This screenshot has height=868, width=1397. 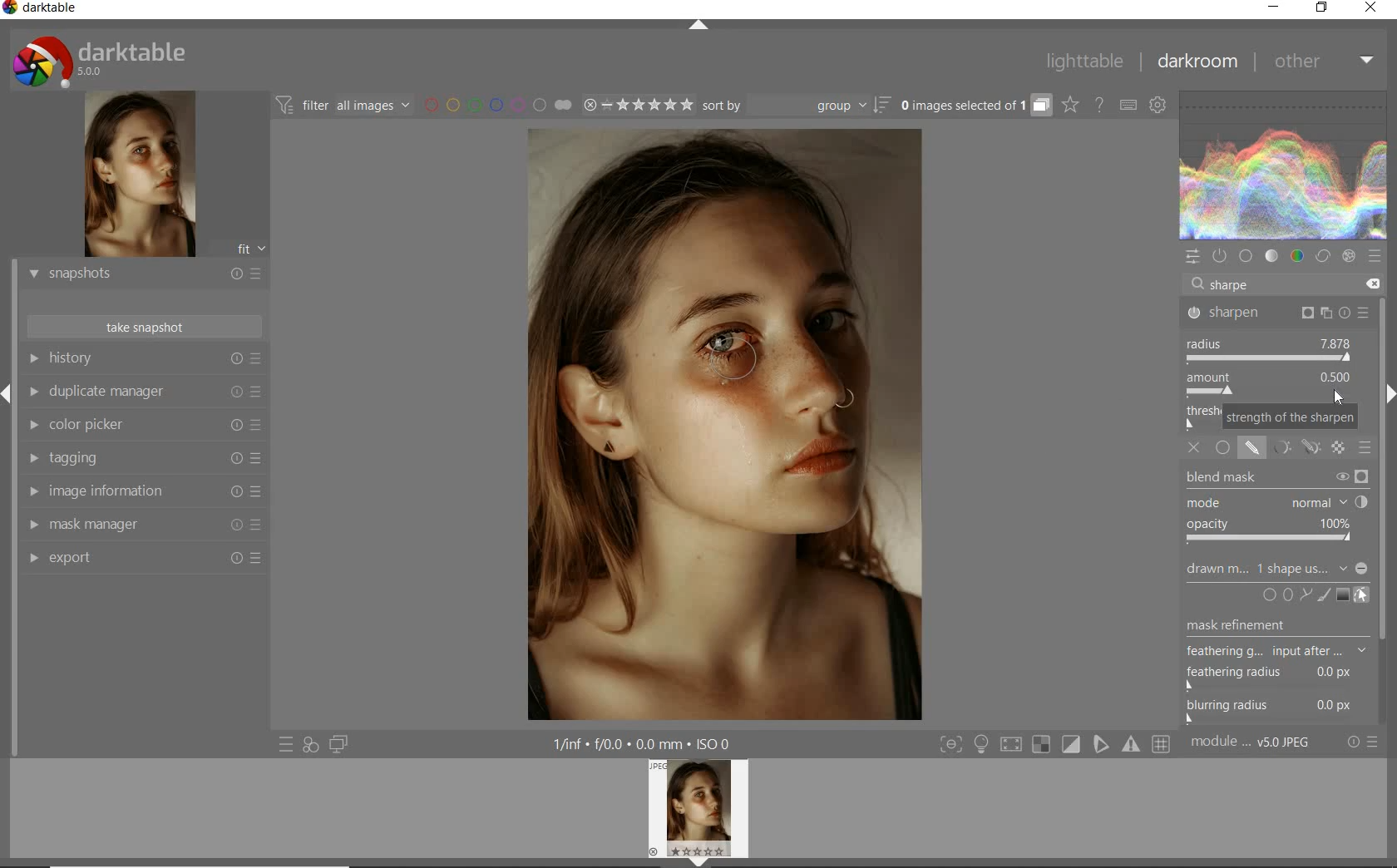 I want to click on DELETE, so click(x=1370, y=284).